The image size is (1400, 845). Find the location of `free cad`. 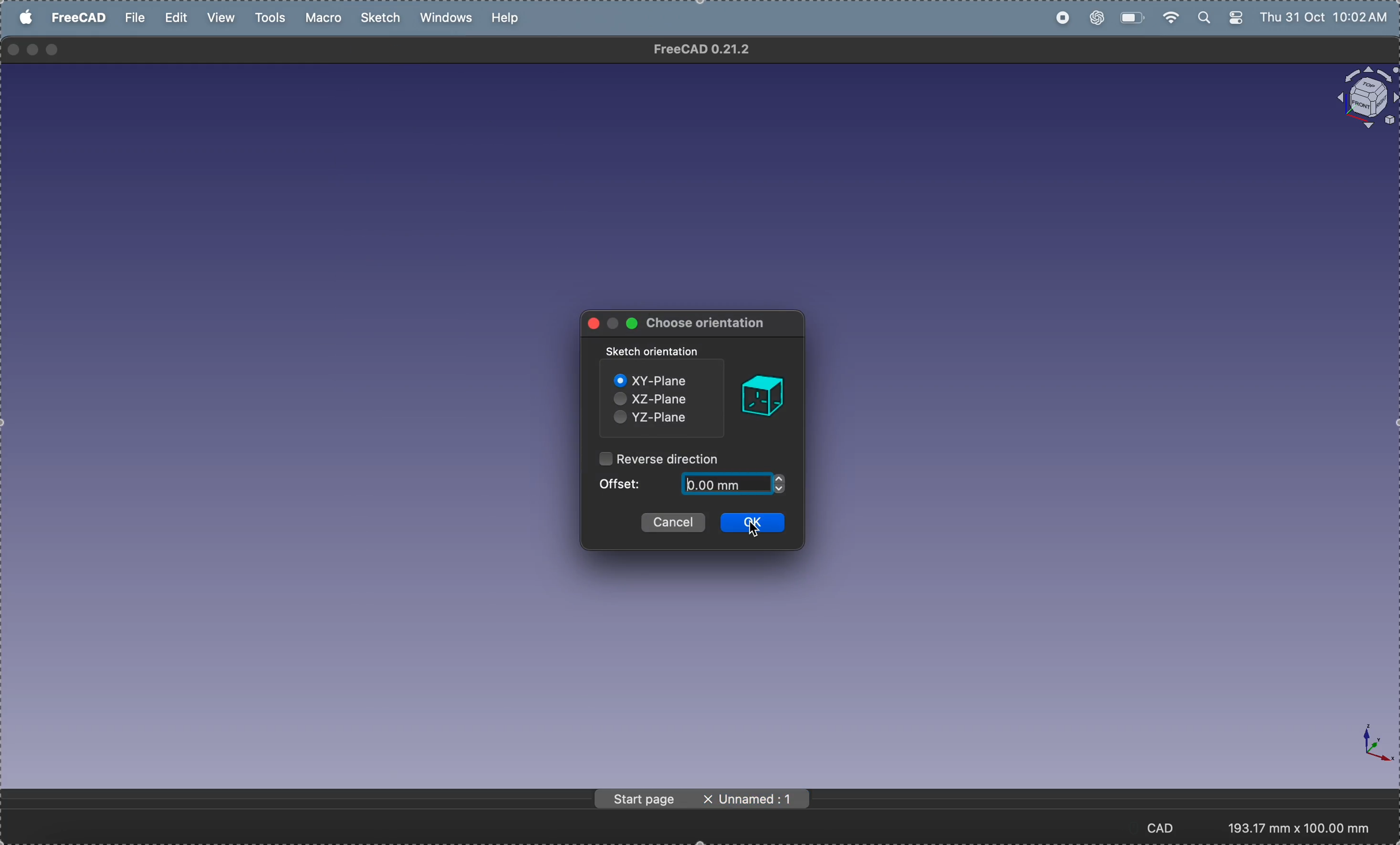

free cad is located at coordinates (81, 17).